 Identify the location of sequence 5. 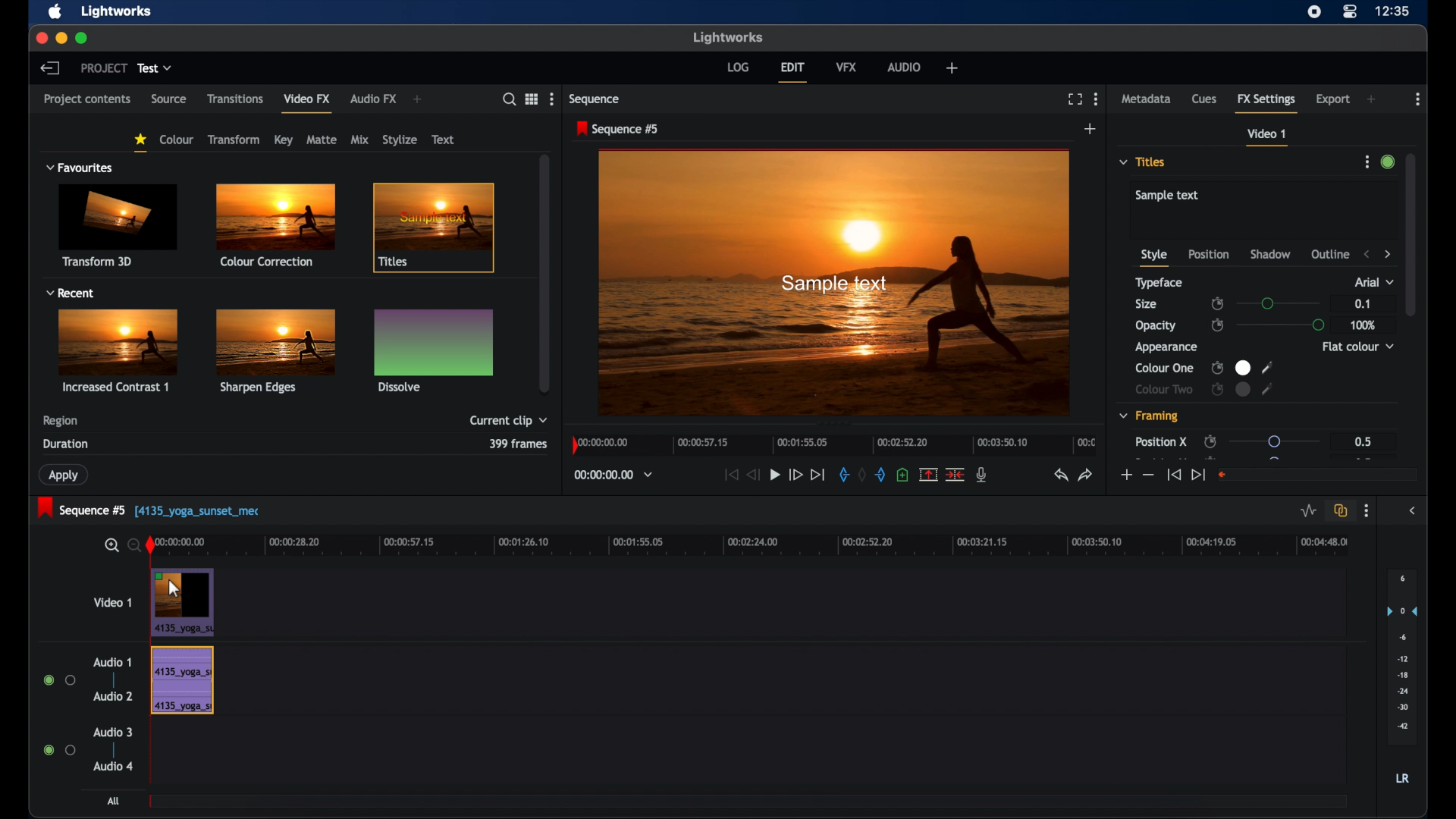
(618, 129).